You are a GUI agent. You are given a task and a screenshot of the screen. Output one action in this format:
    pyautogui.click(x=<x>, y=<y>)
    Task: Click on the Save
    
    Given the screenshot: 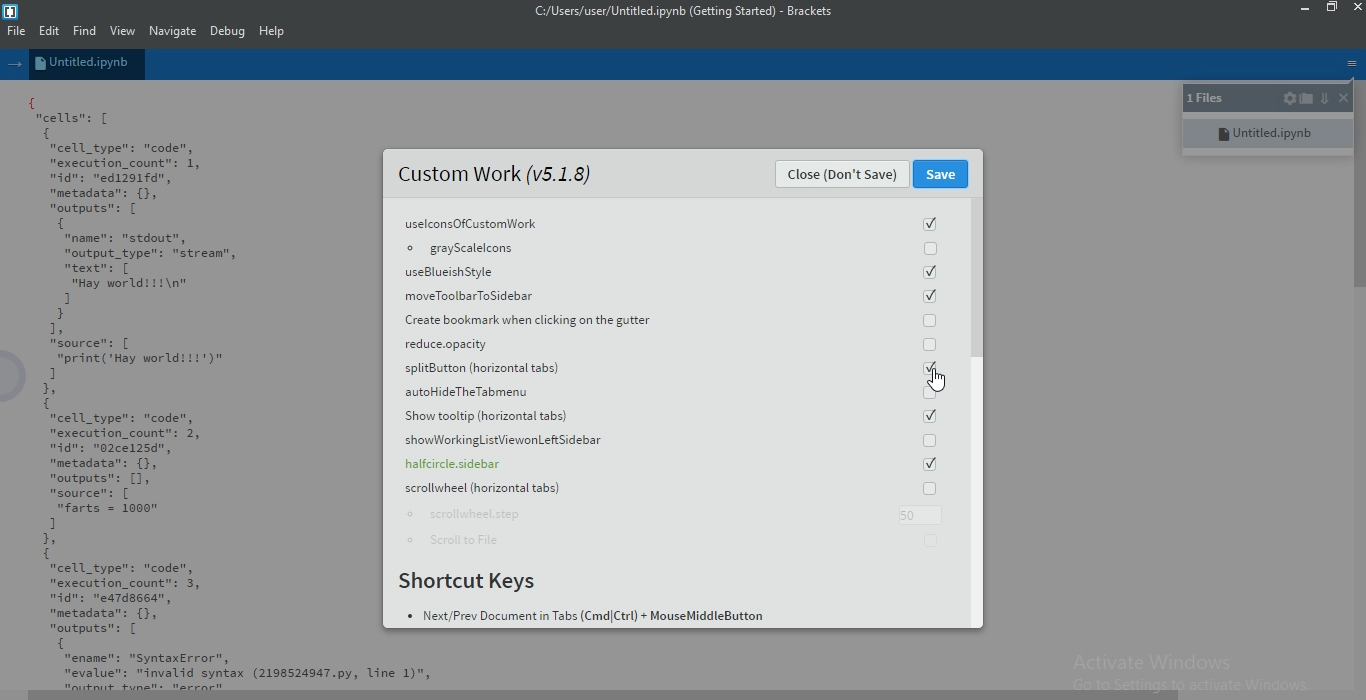 What is the action you would take?
    pyautogui.click(x=940, y=174)
    